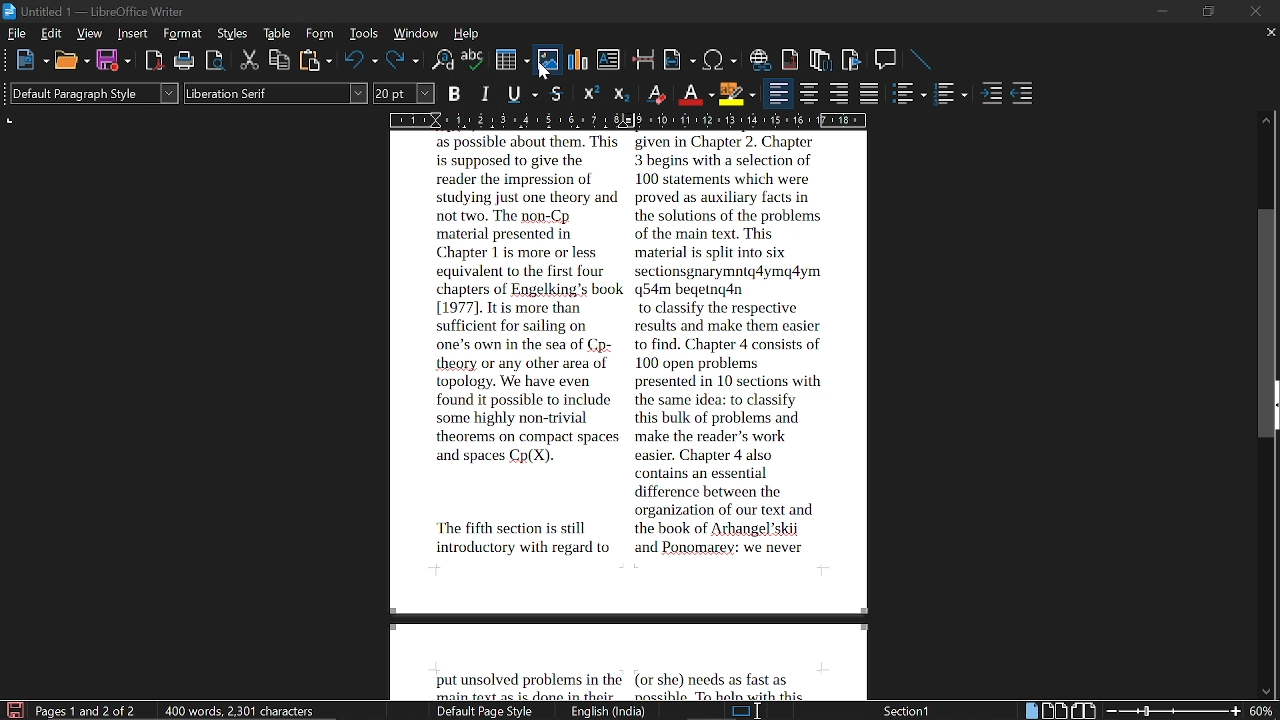  I want to click on insert endnote, so click(822, 59).